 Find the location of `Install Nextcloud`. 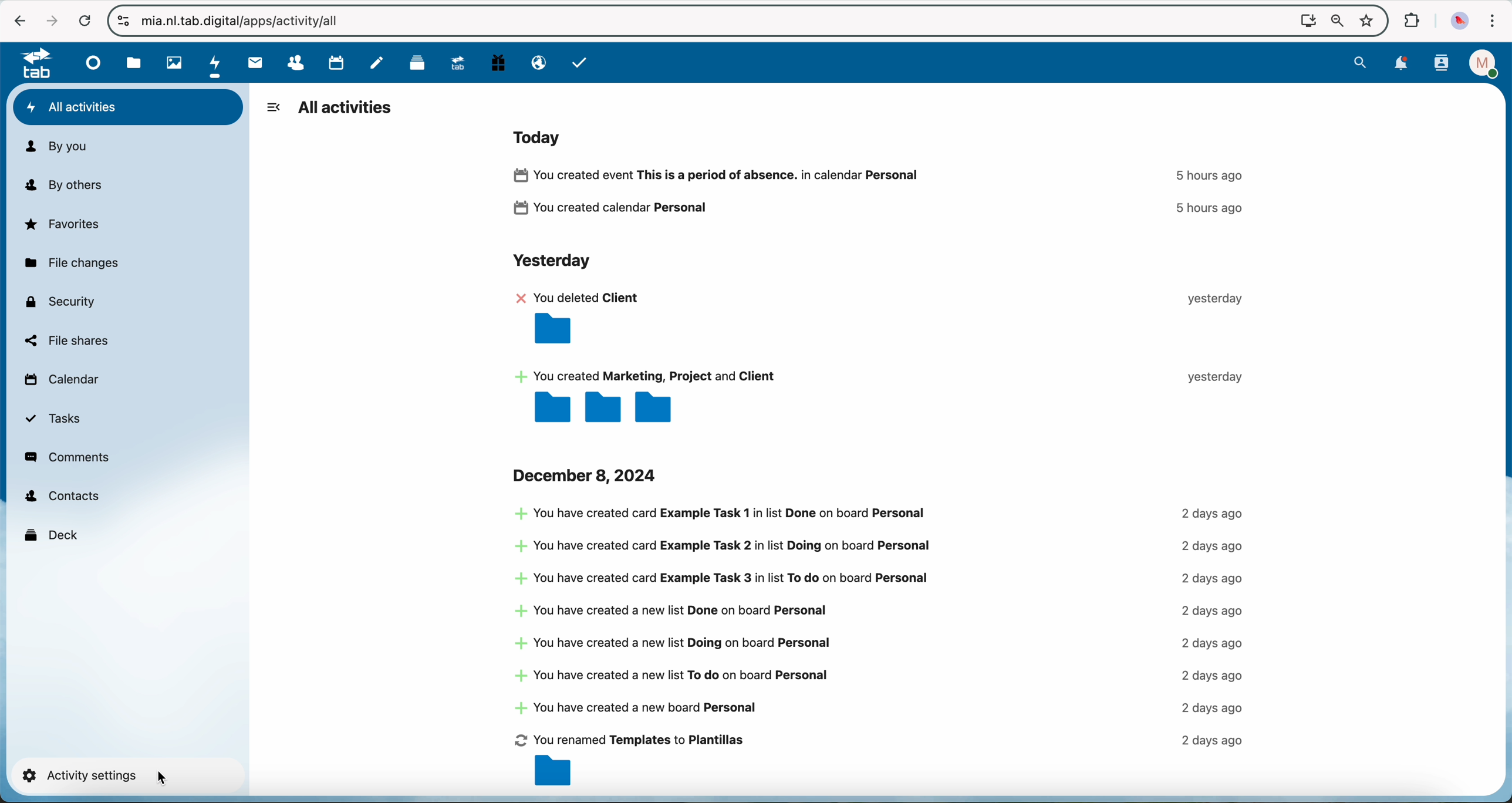

Install Nextcloud is located at coordinates (1306, 22).